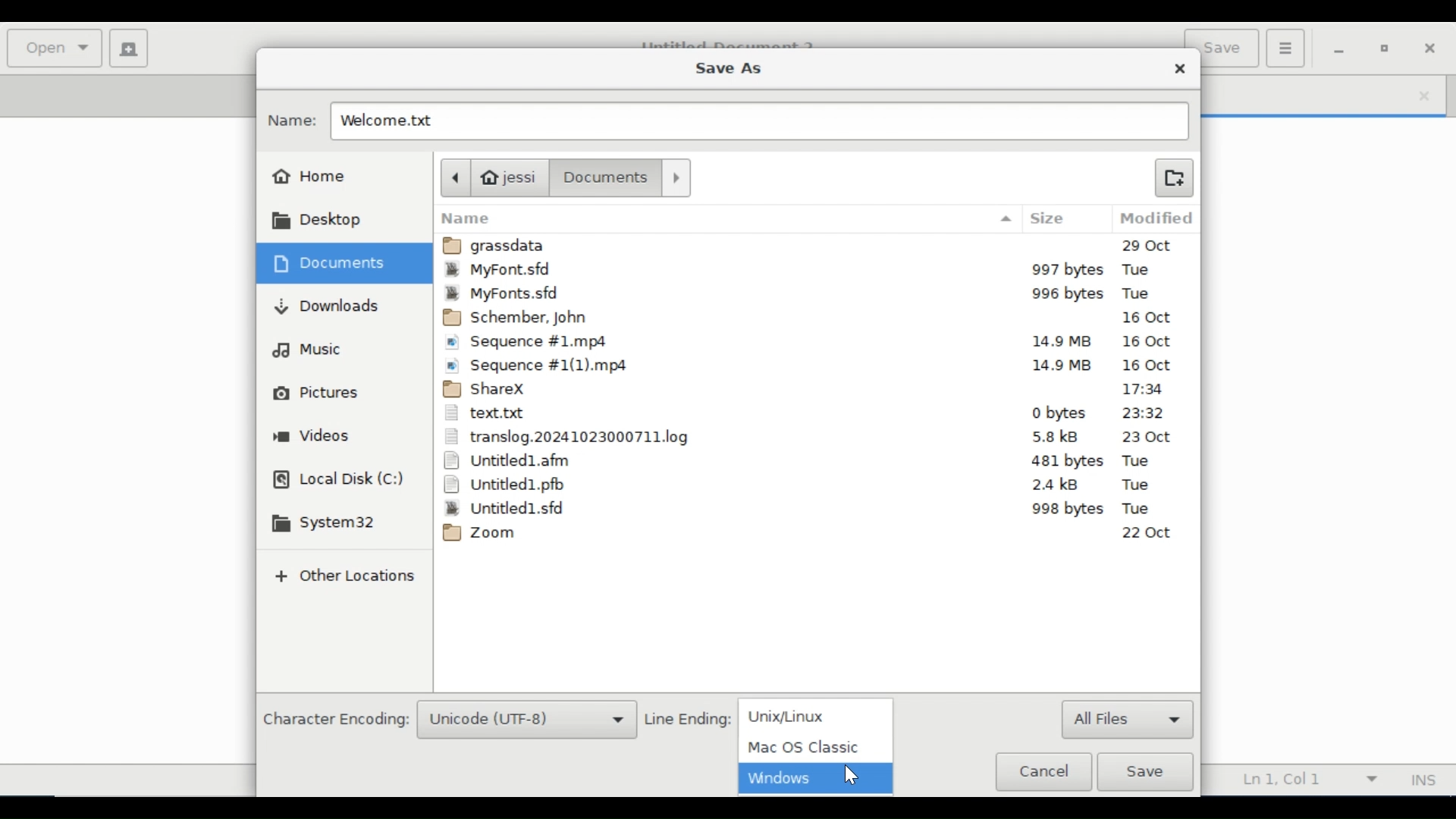  Describe the element at coordinates (686, 717) in the screenshot. I see `Line Ending` at that location.